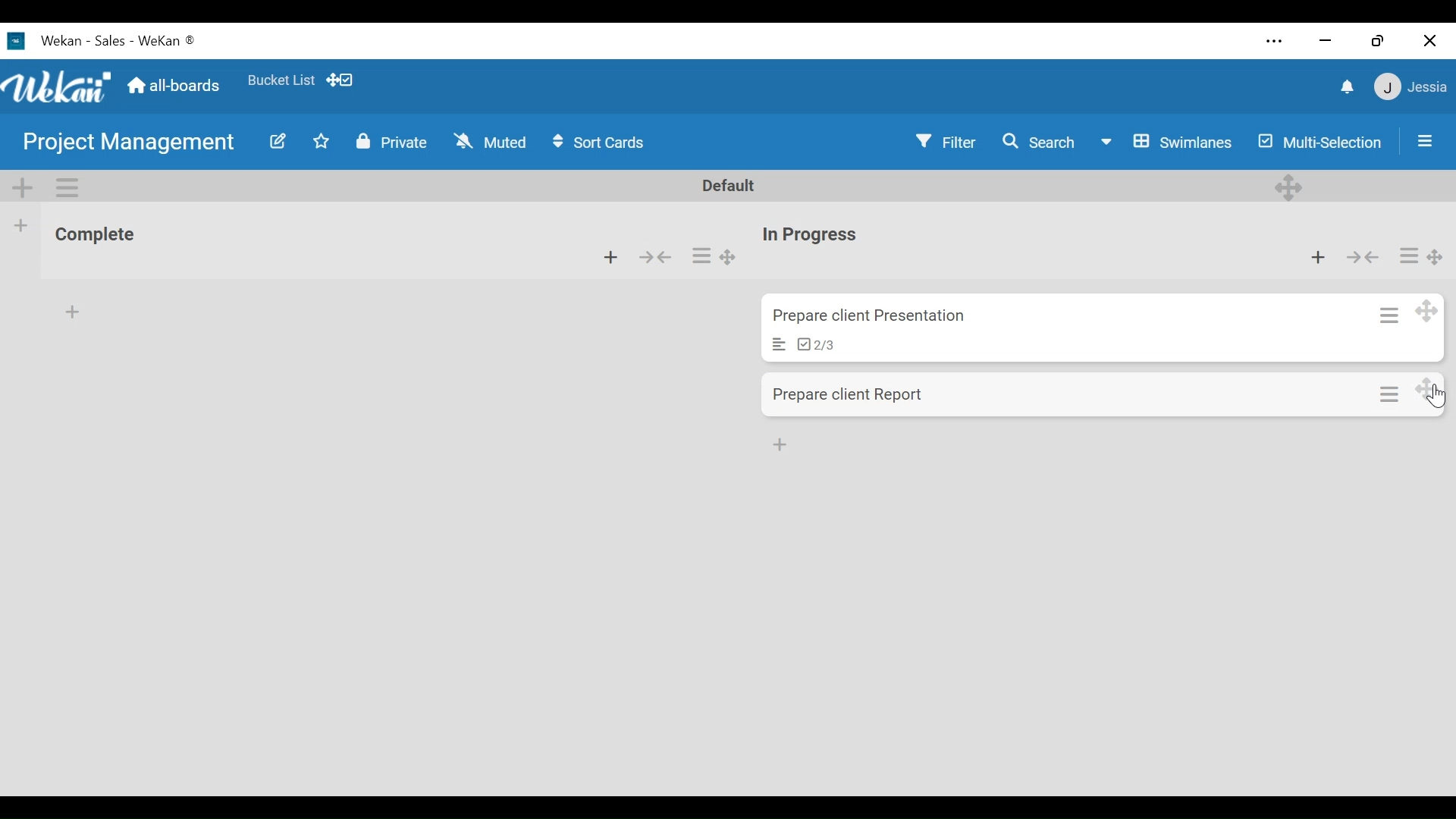  What do you see at coordinates (347, 80) in the screenshot?
I see `dekstop drag bar` at bounding box center [347, 80].